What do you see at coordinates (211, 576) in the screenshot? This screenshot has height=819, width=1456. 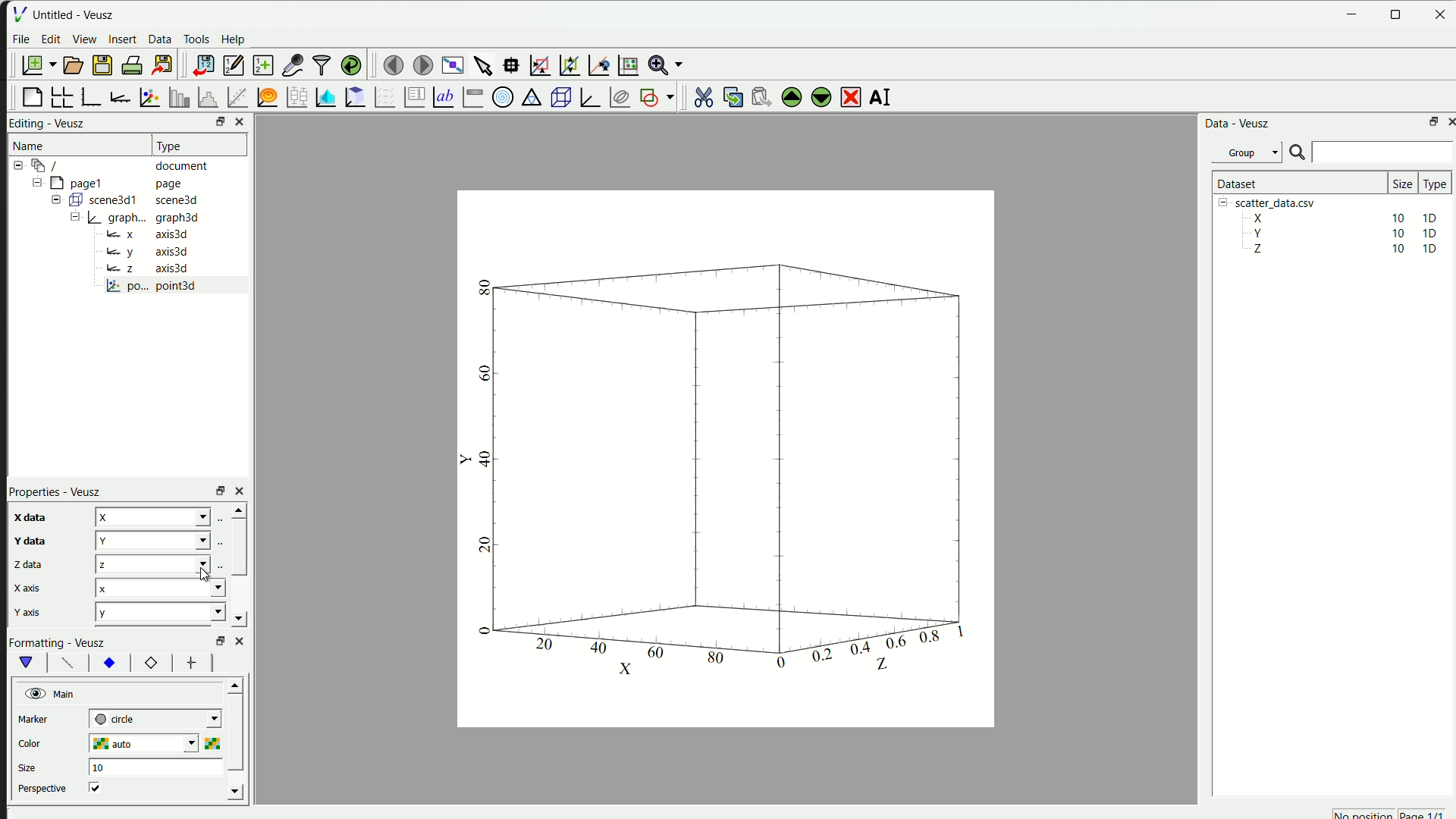 I see `cursor` at bounding box center [211, 576].